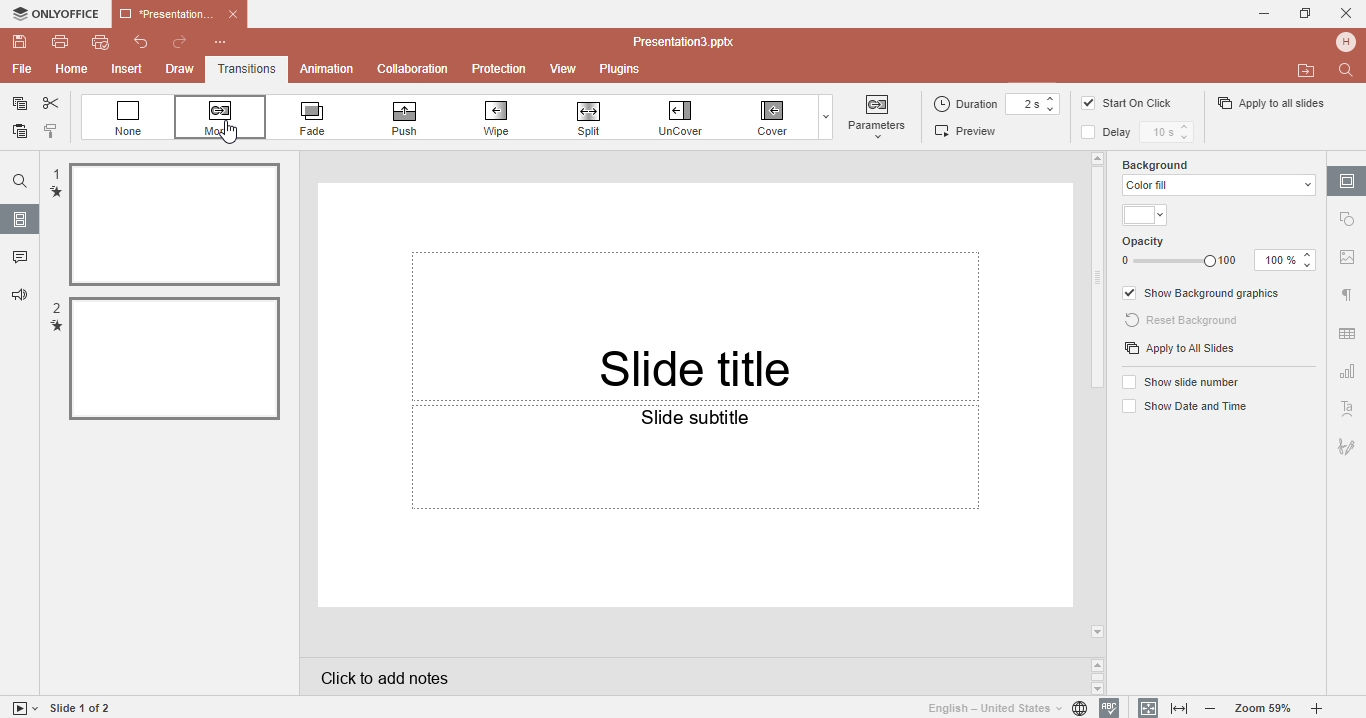  Describe the element at coordinates (1220, 253) in the screenshot. I see `Opacity` at that location.